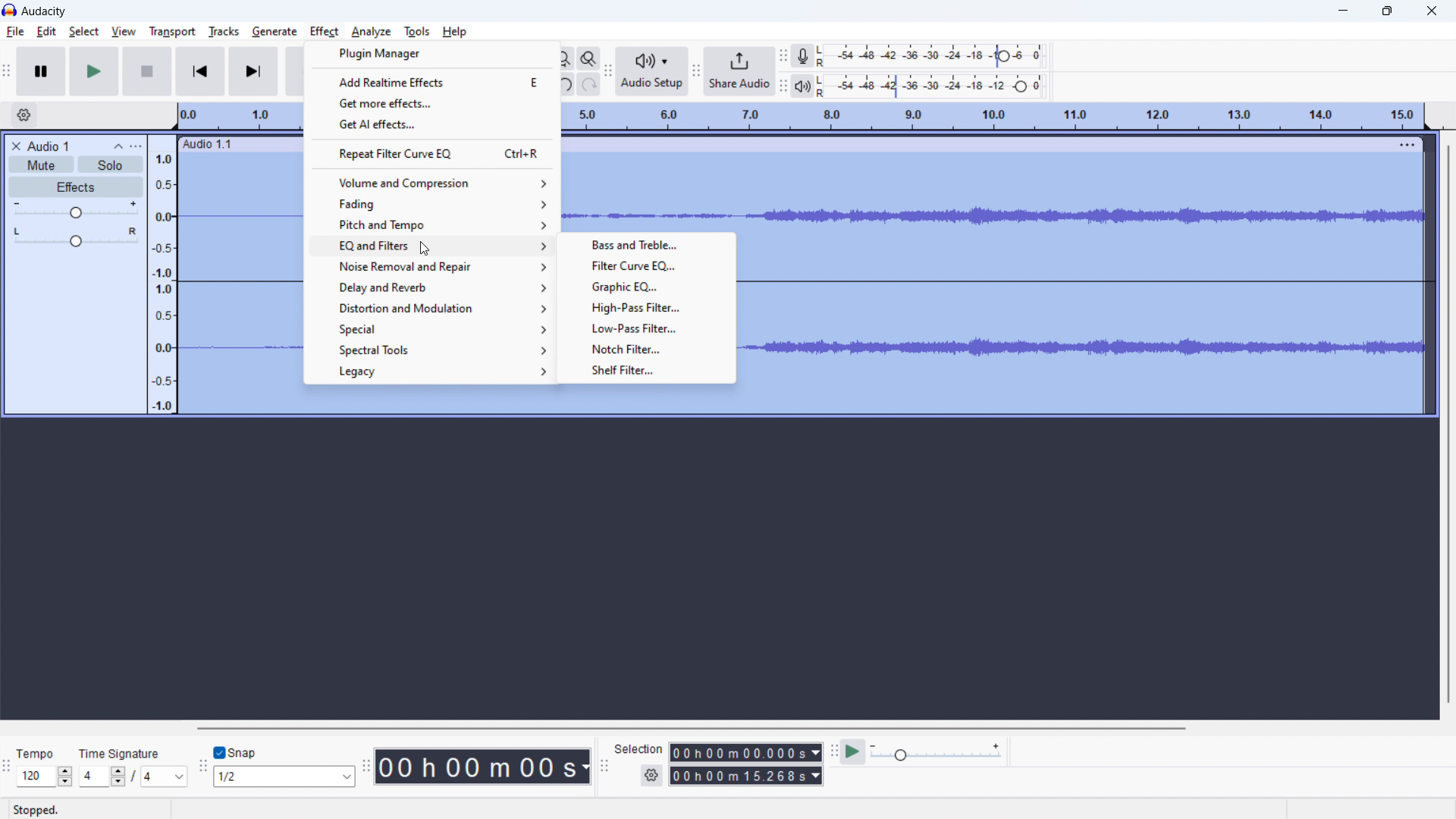 The image size is (1456, 819). I want to click on audio setup toolbar, so click(611, 74).